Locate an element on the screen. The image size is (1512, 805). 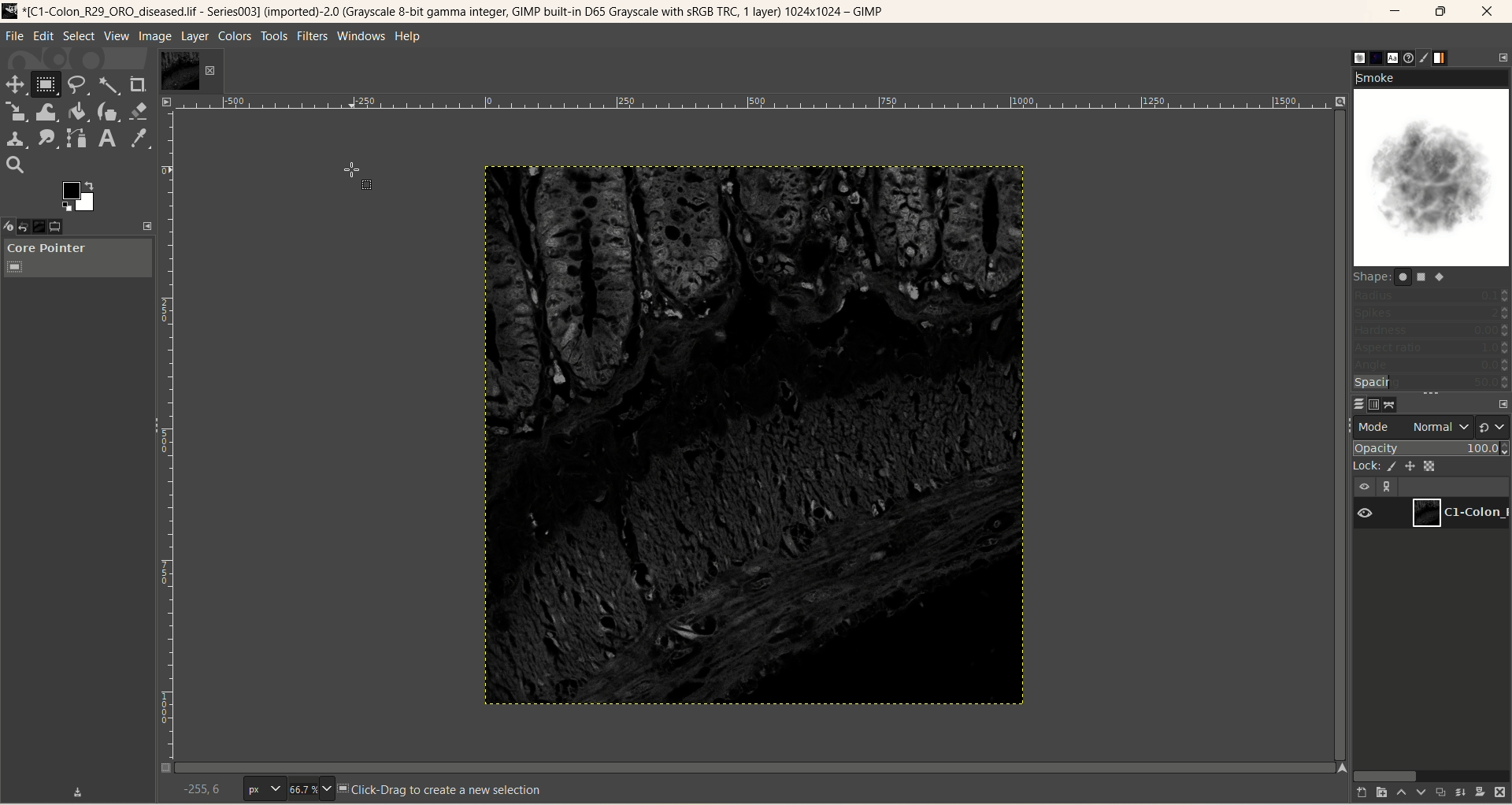
fuzzy select tool is located at coordinates (107, 83).